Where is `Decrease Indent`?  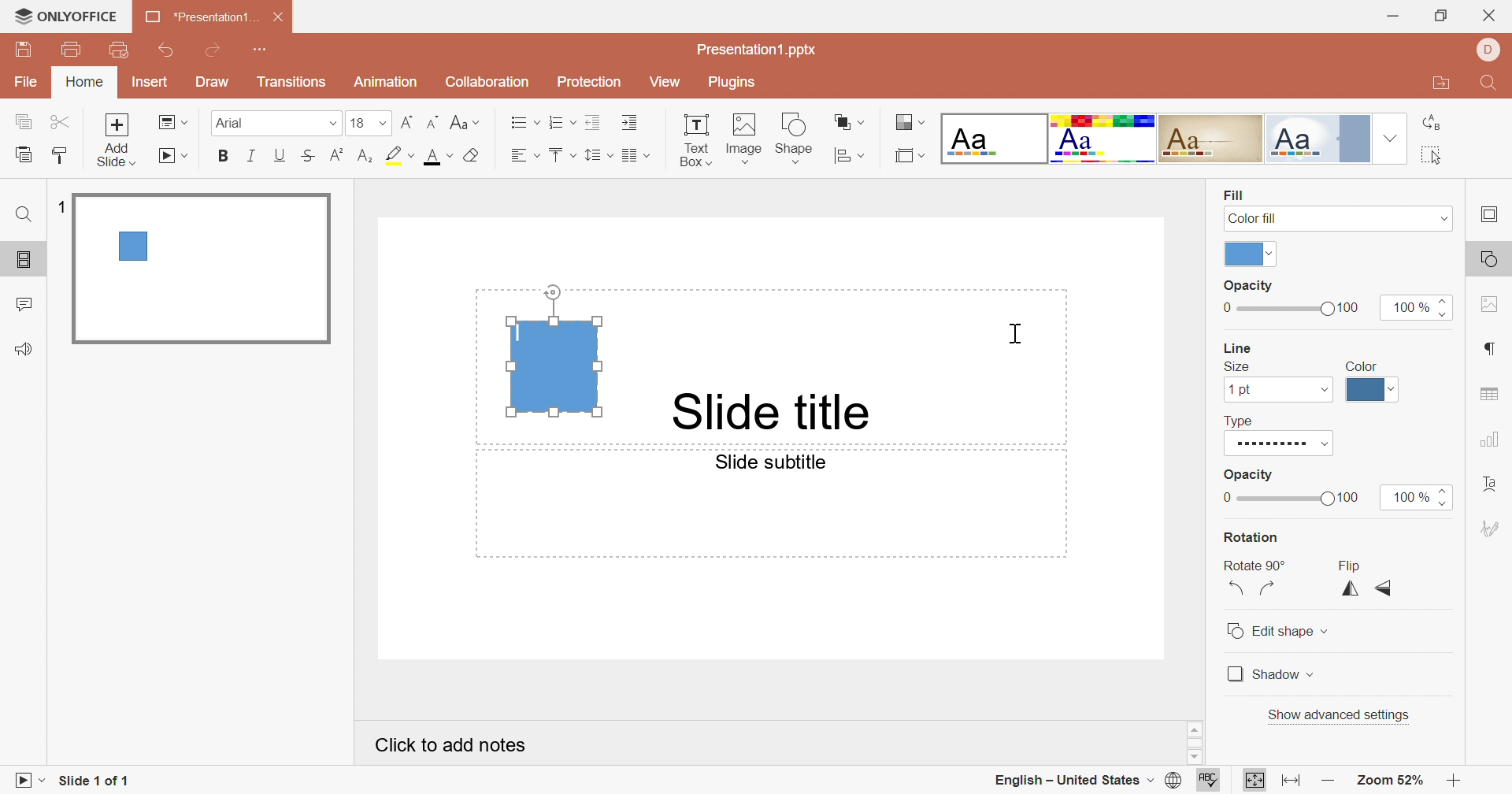
Decrease Indent is located at coordinates (595, 122).